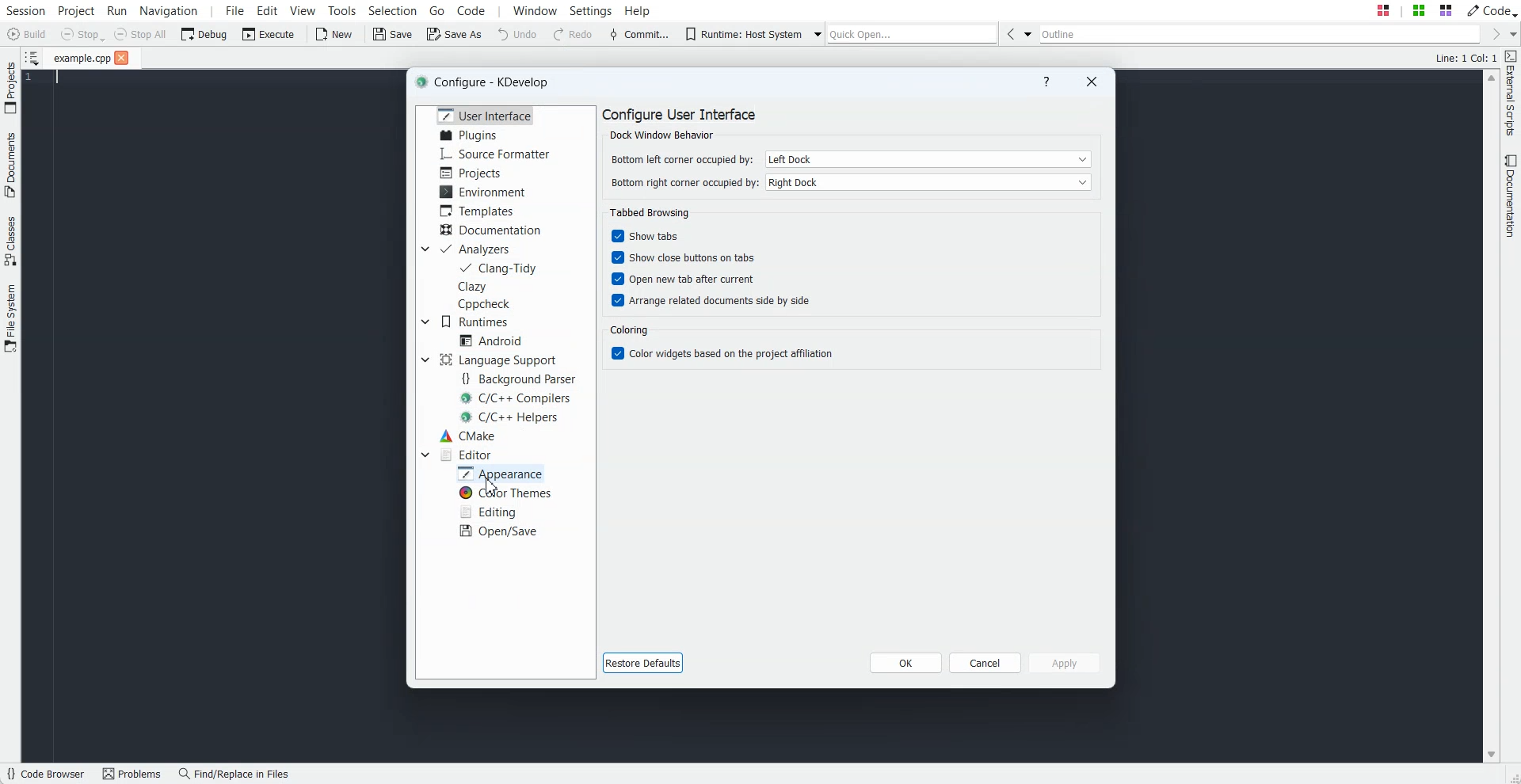  Describe the element at coordinates (135, 774) in the screenshot. I see `Problems` at that location.